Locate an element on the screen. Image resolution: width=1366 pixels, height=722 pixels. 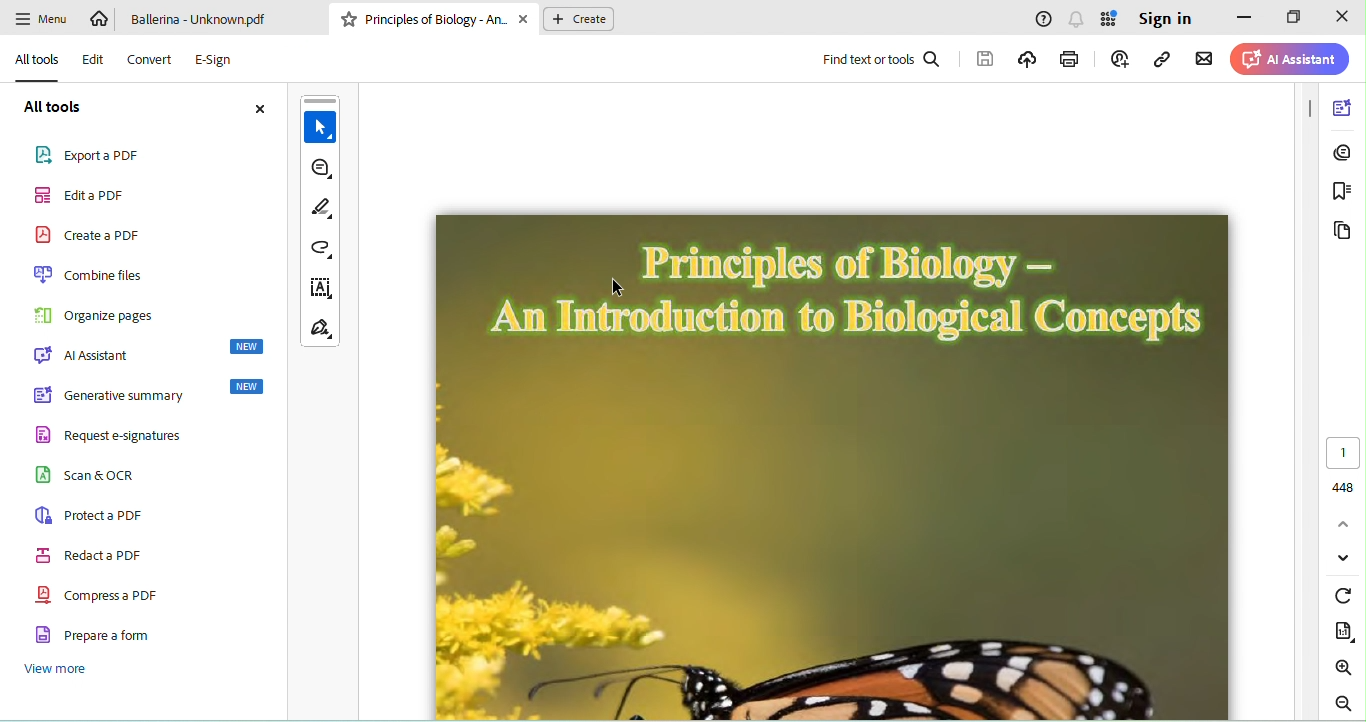
print is located at coordinates (1073, 60).